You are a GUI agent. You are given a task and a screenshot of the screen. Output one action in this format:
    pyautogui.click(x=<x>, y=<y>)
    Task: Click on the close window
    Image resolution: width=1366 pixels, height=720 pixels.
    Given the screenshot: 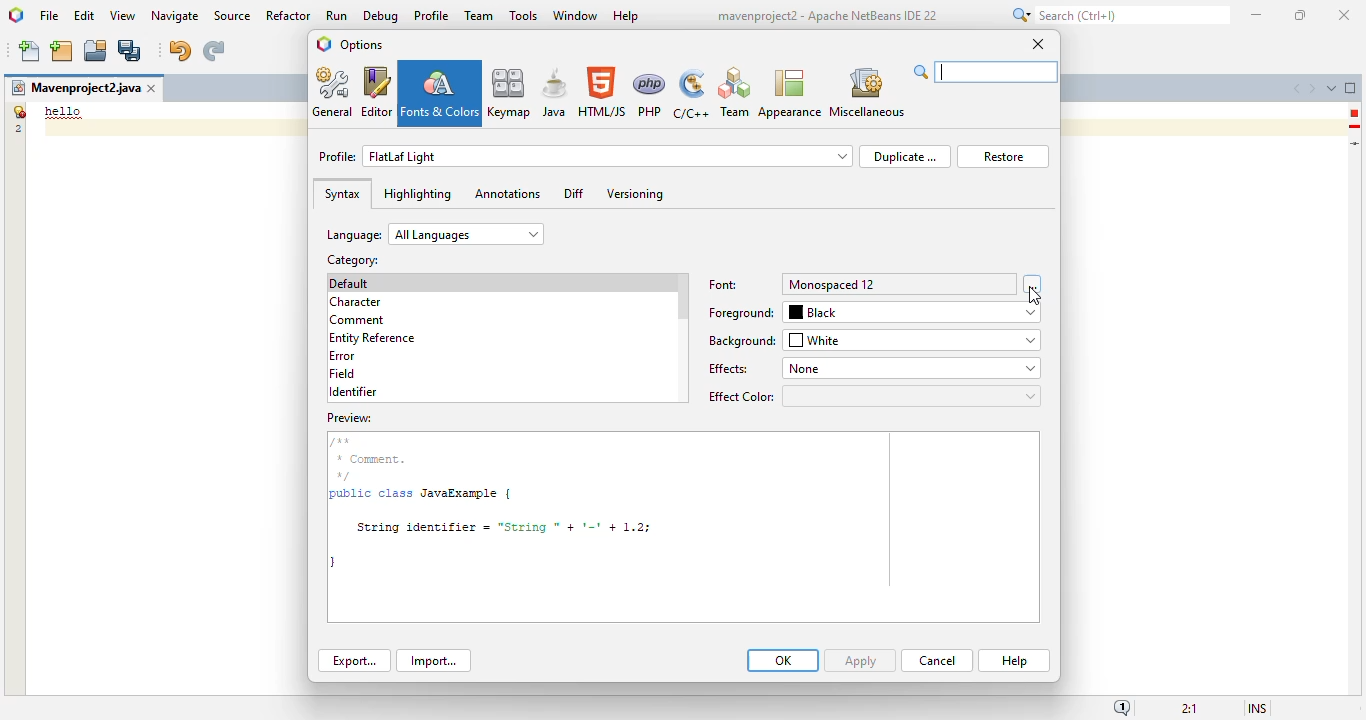 What is the action you would take?
    pyautogui.click(x=153, y=88)
    